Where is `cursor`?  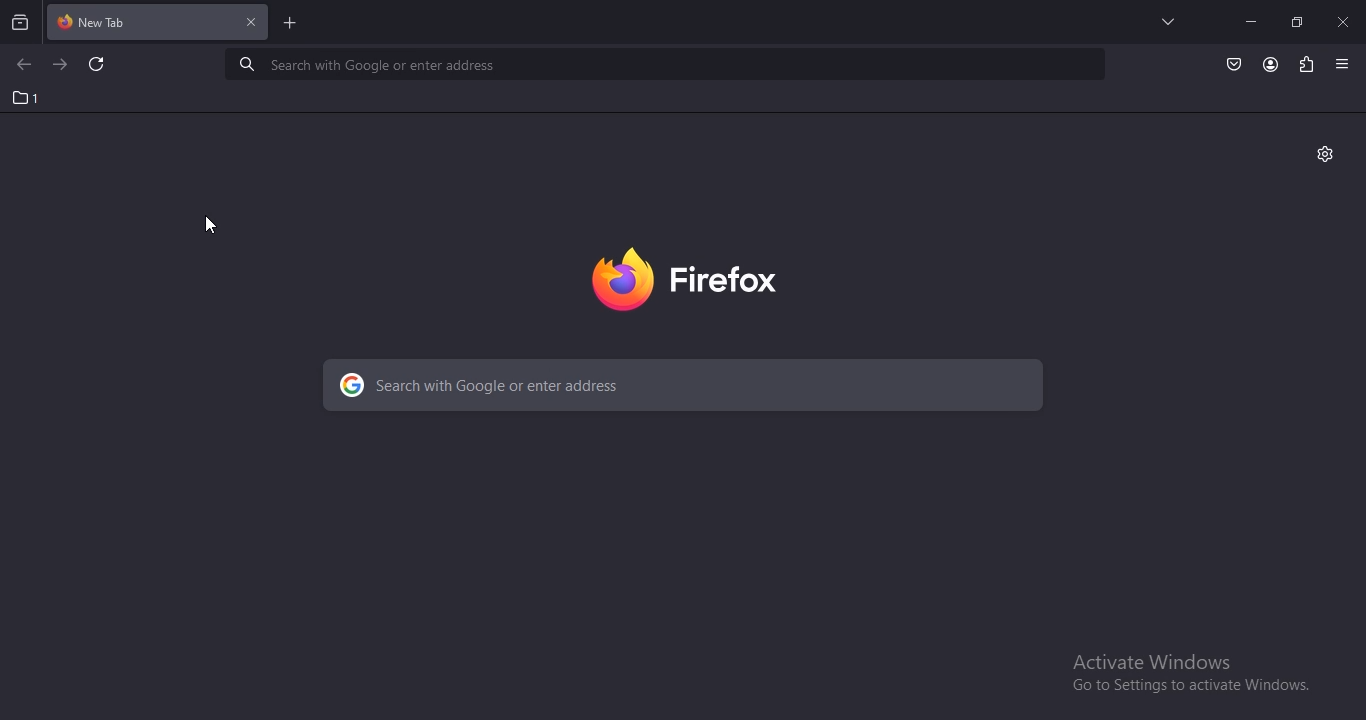
cursor is located at coordinates (211, 224).